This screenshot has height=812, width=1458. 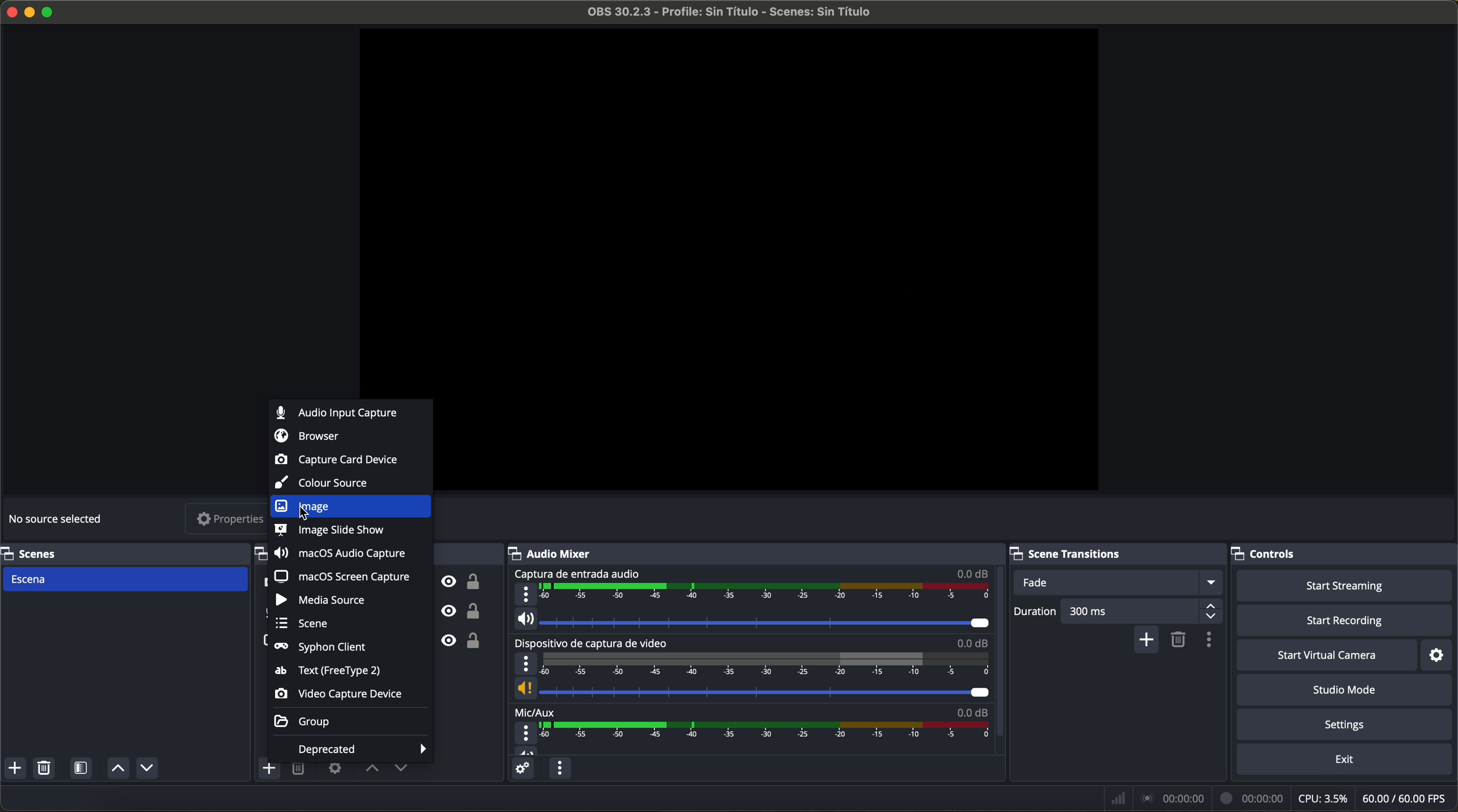 I want to click on mic/aux, so click(x=535, y=711).